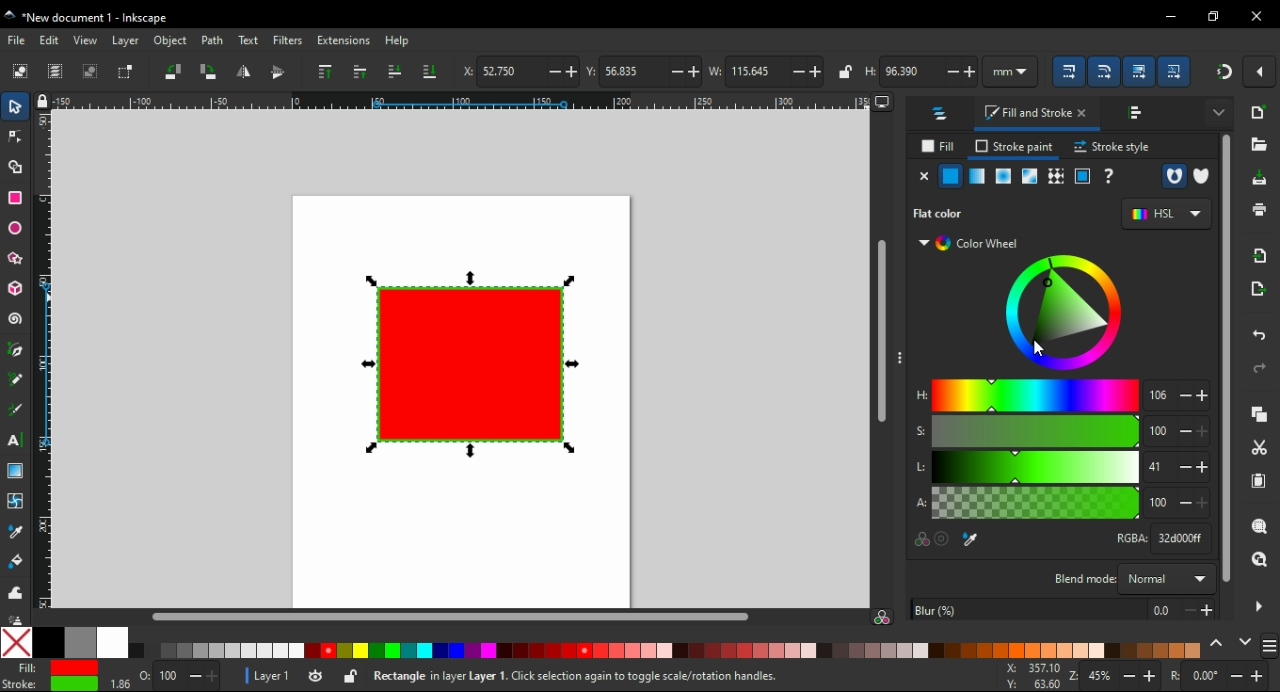  What do you see at coordinates (1101, 677) in the screenshot?
I see `45` at bounding box center [1101, 677].